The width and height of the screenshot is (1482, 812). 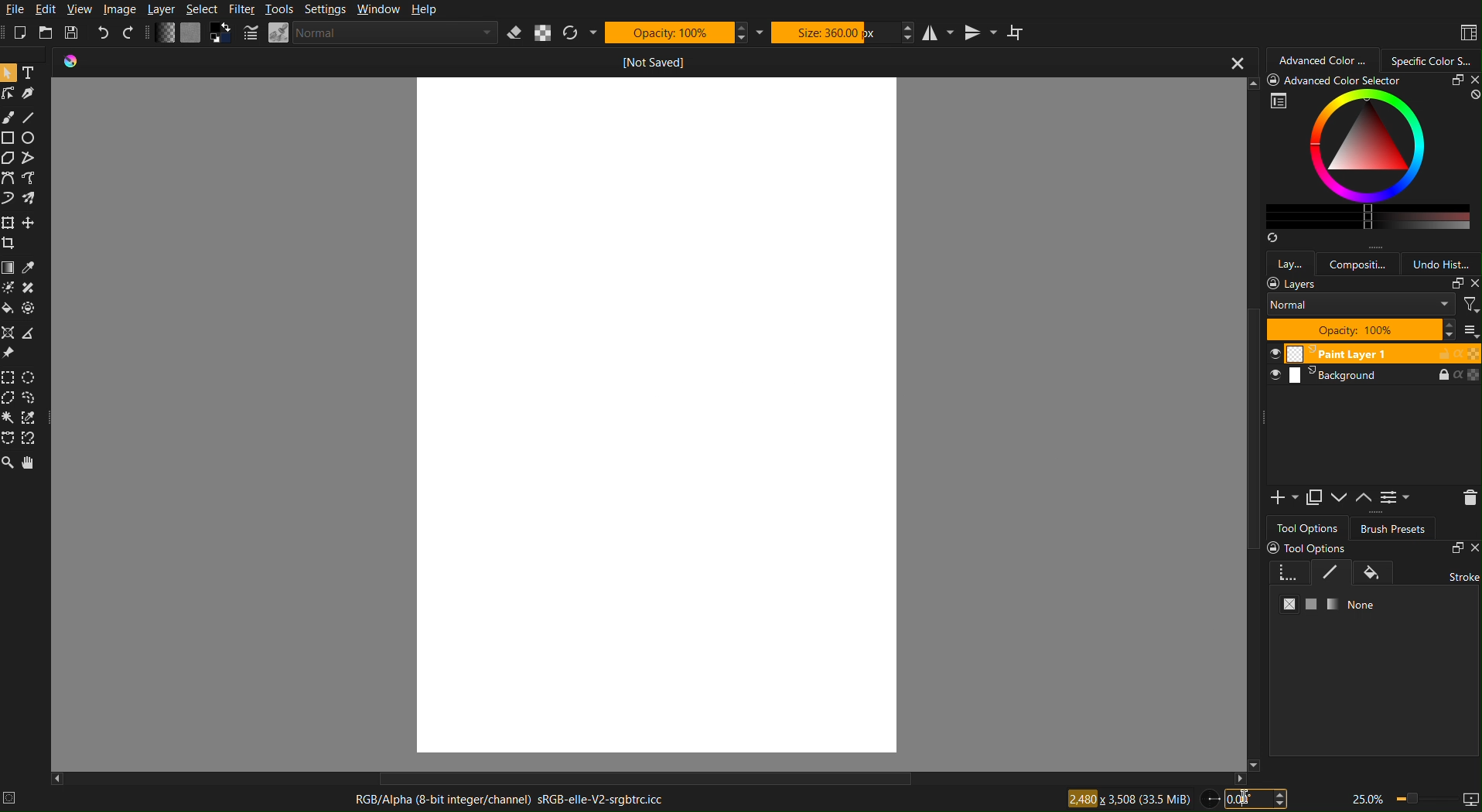 What do you see at coordinates (632, 63) in the screenshot?
I see `Current Document` at bounding box center [632, 63].